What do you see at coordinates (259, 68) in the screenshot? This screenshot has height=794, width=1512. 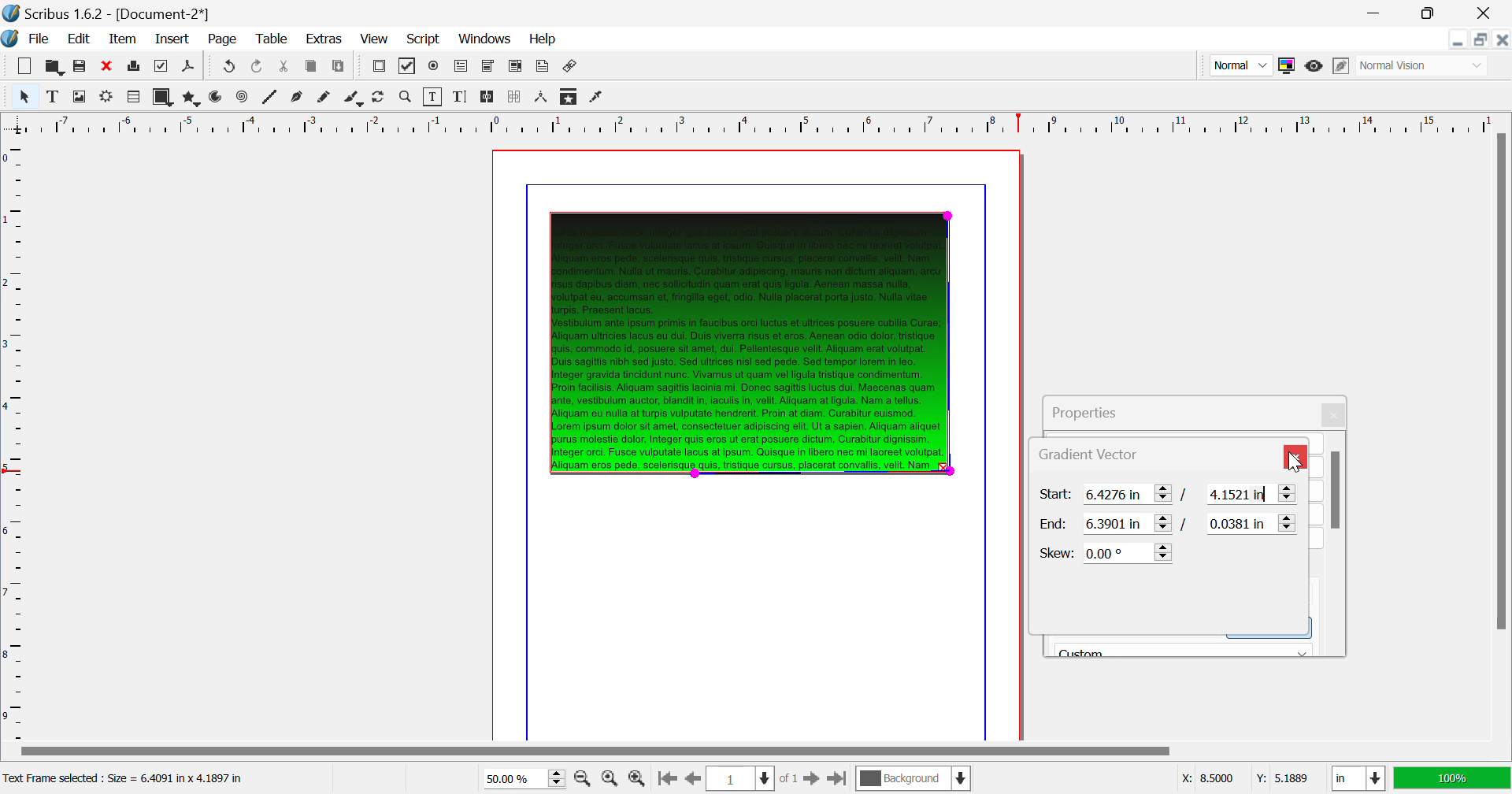 I see `Undo` at bounding box center [259, 68].